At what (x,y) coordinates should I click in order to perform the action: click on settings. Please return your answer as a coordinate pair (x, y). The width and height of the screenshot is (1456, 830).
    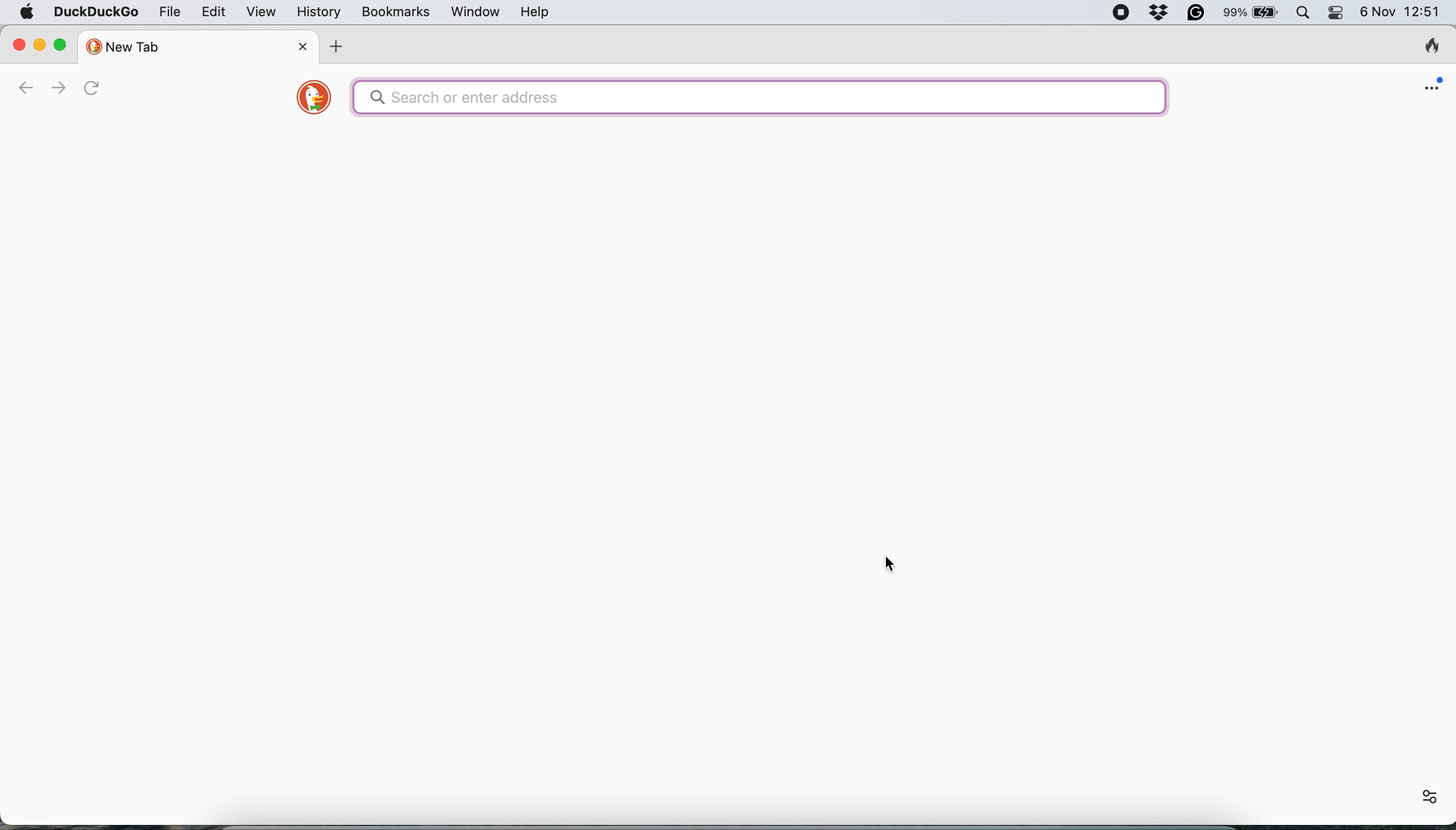
    Looking at the image, I should click on (1431, 798).